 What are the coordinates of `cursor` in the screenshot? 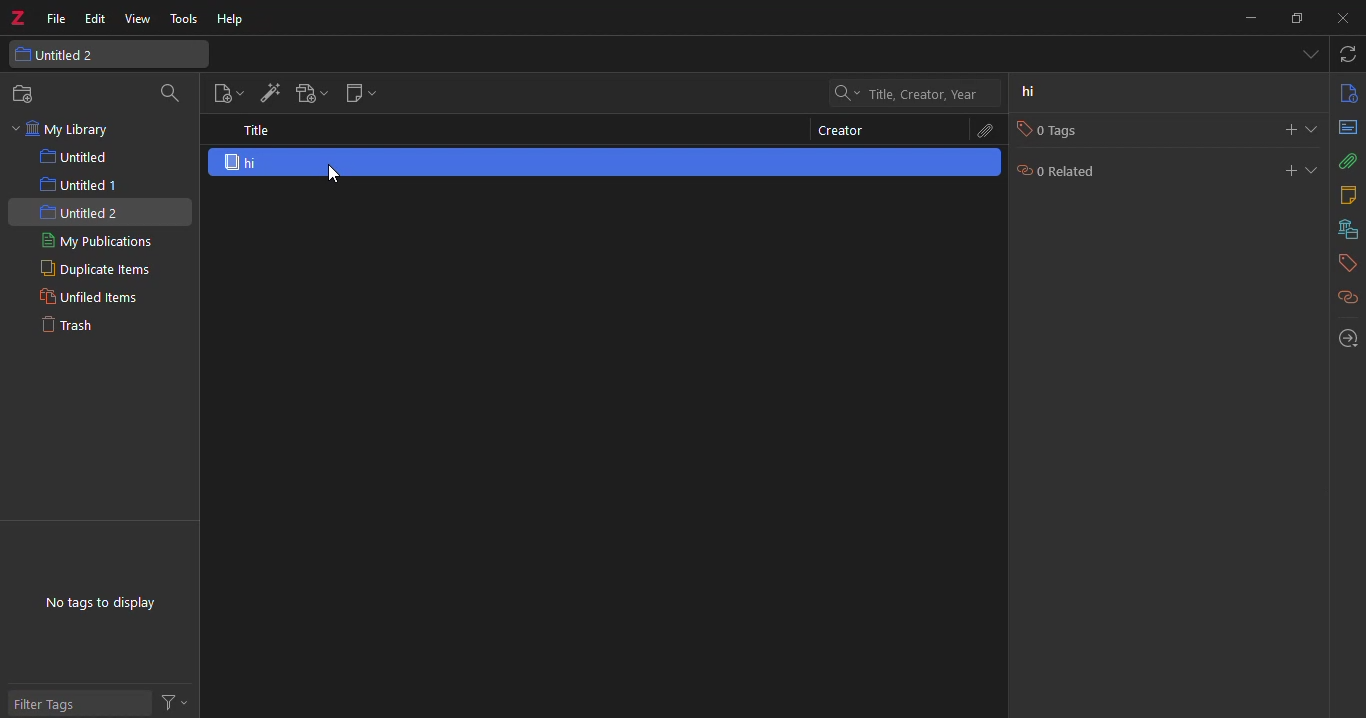 It's located at (337, 176).